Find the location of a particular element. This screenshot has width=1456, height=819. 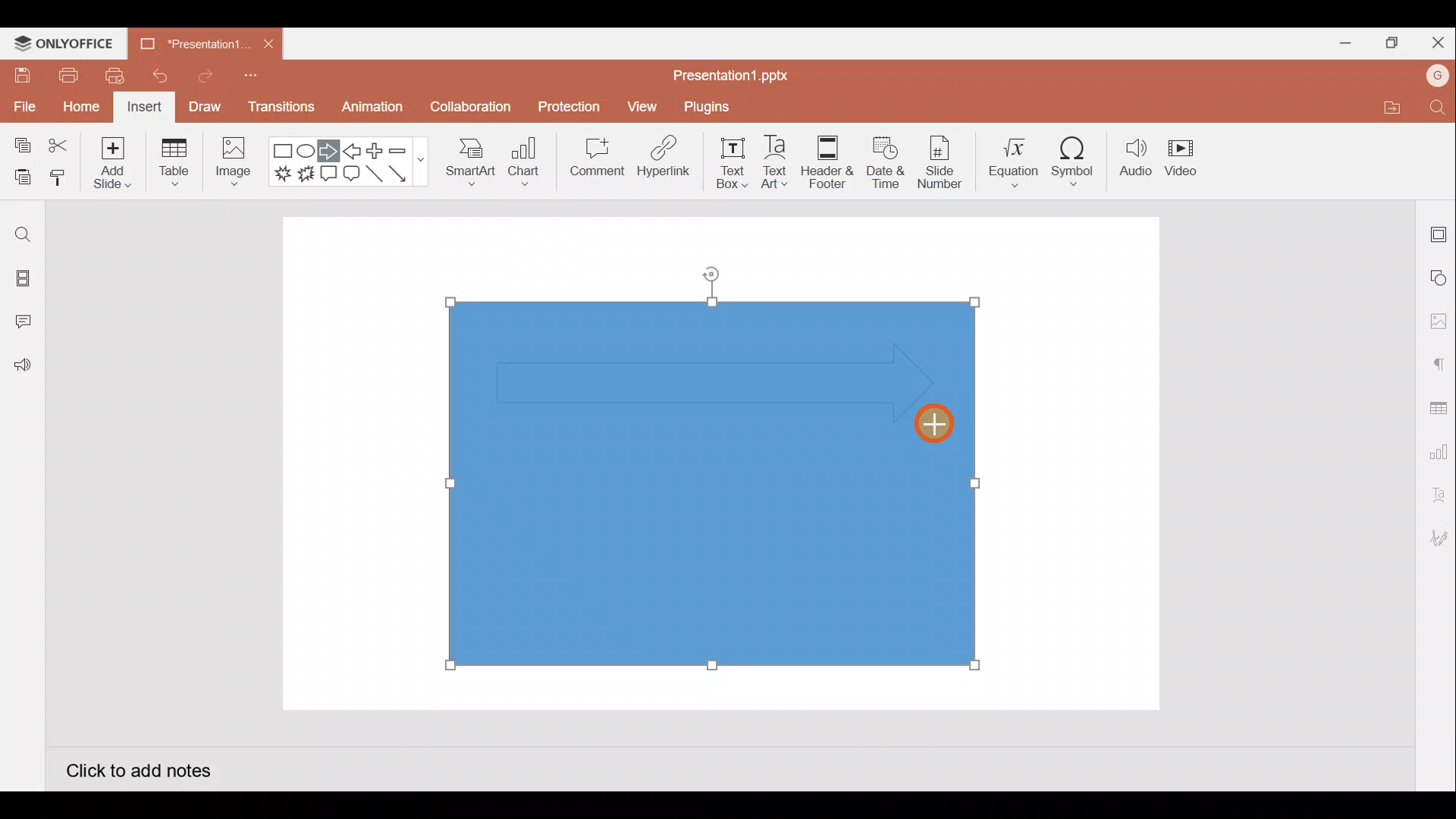

Quick print is located at coordinates (110, 76).